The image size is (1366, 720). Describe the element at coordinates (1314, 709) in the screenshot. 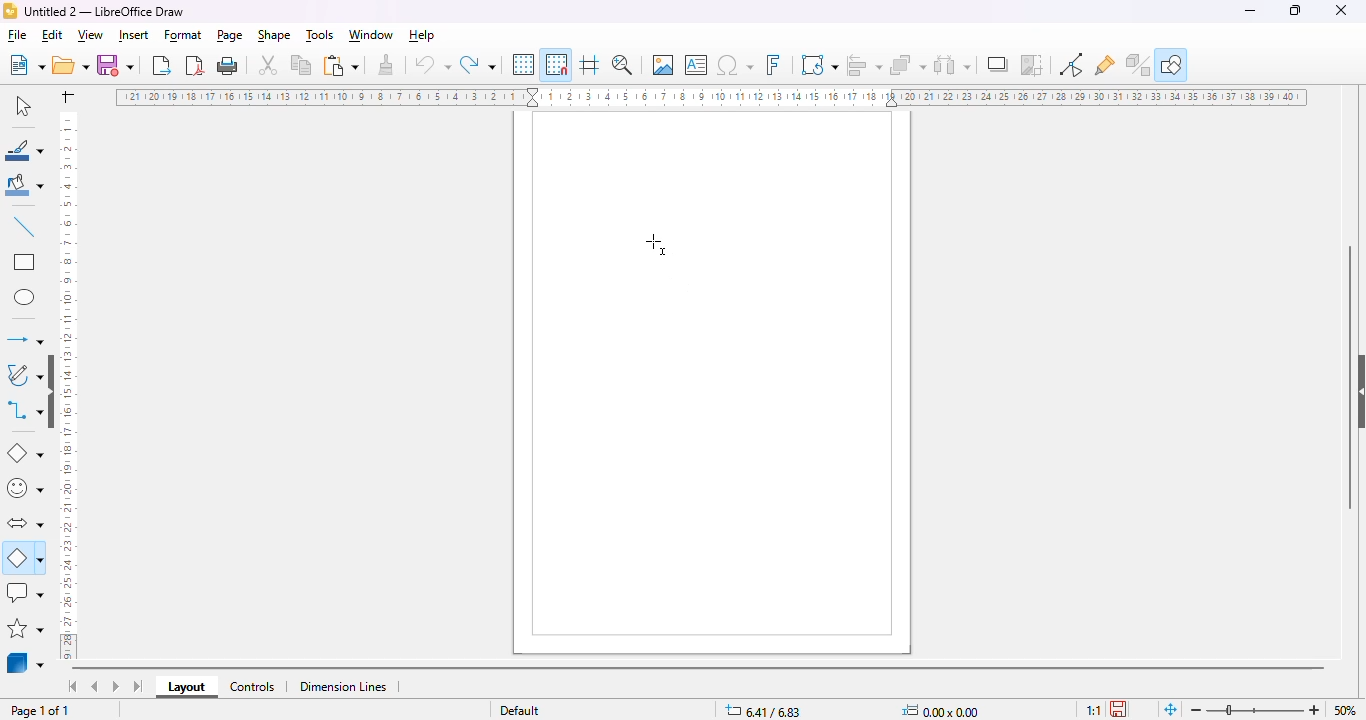

I see `zoom in` at that location.